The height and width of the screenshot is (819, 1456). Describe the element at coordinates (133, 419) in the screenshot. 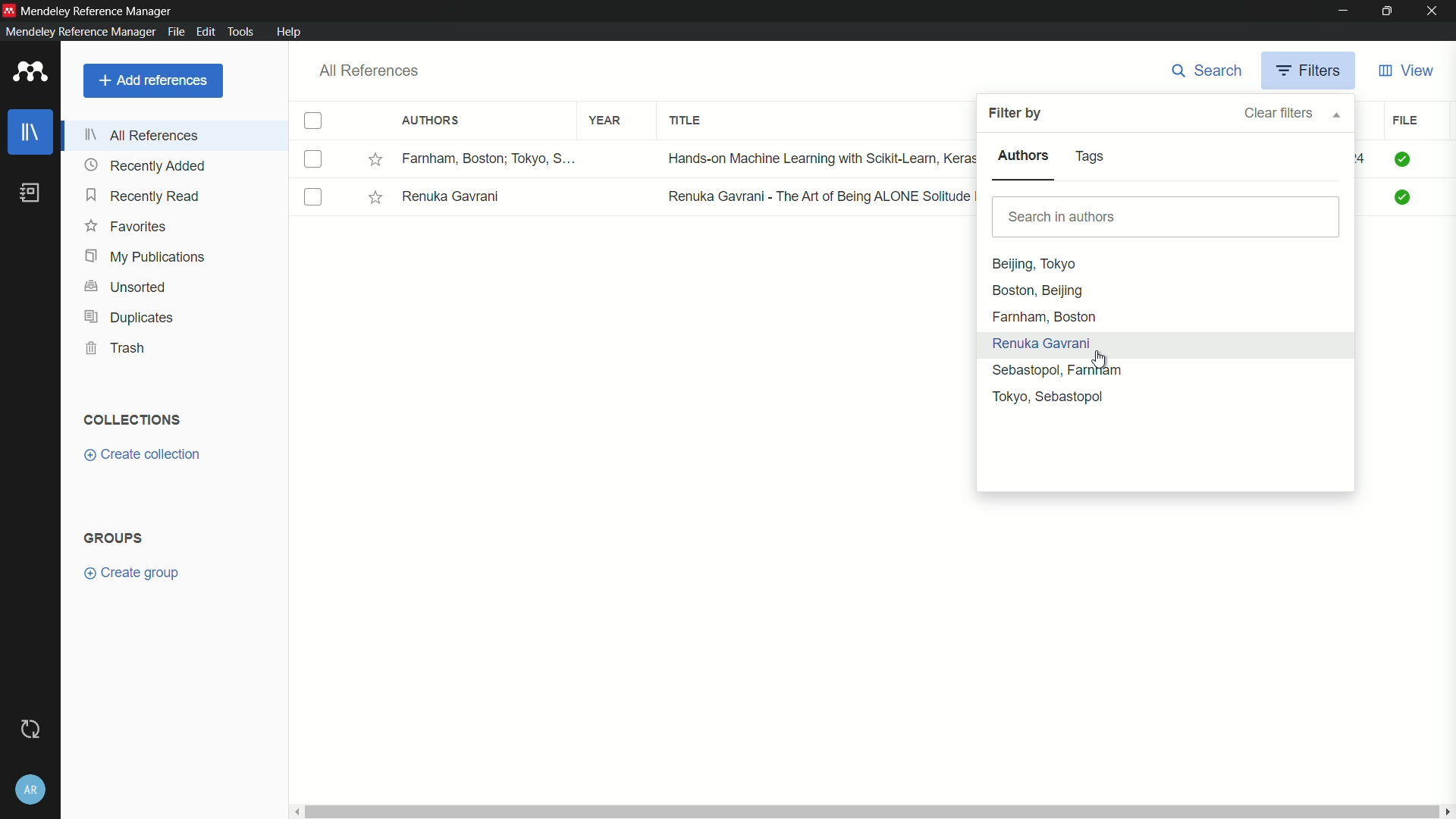

I see `collections` at that location.